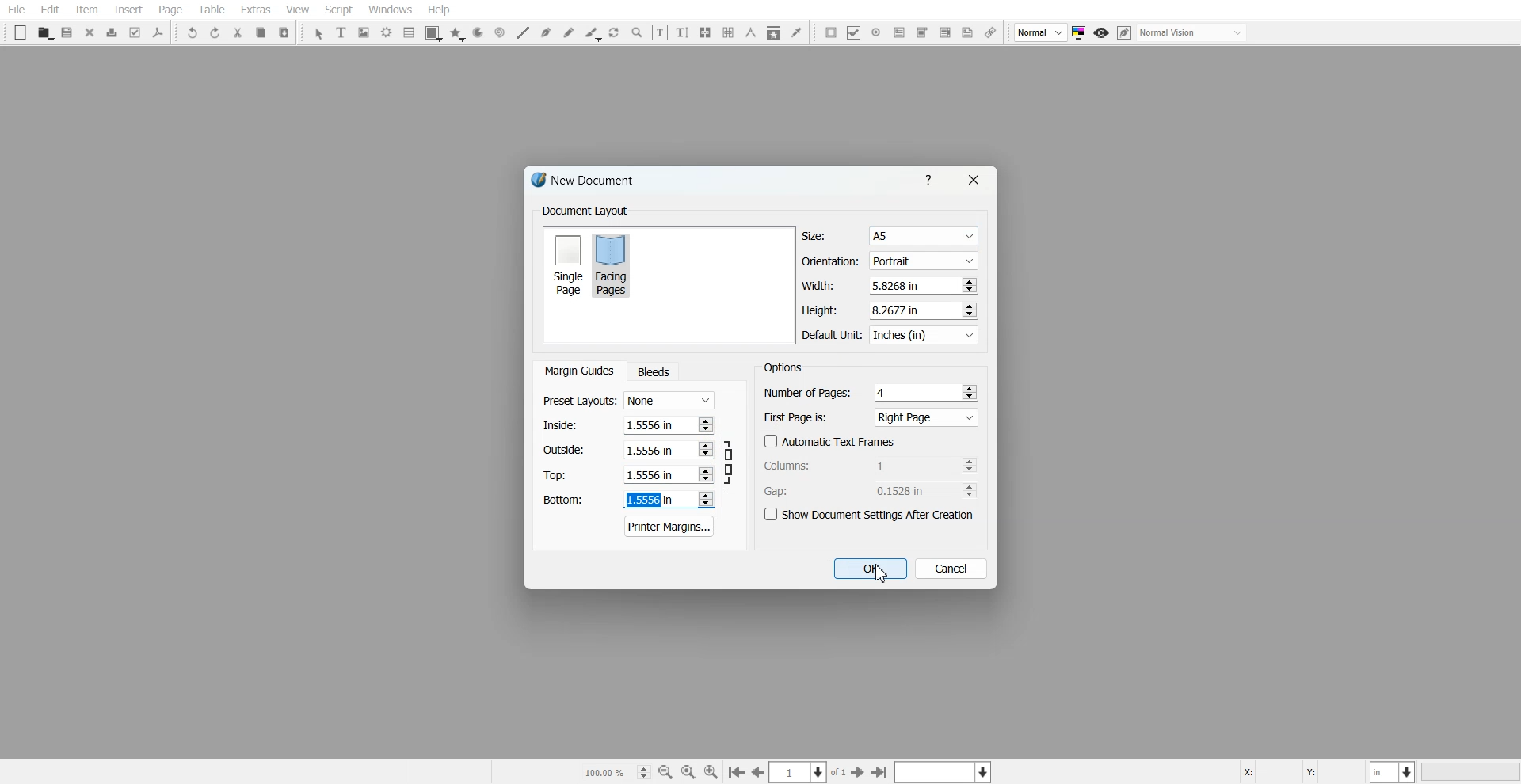  I want to click on PDF List Box, so click(944, 33).